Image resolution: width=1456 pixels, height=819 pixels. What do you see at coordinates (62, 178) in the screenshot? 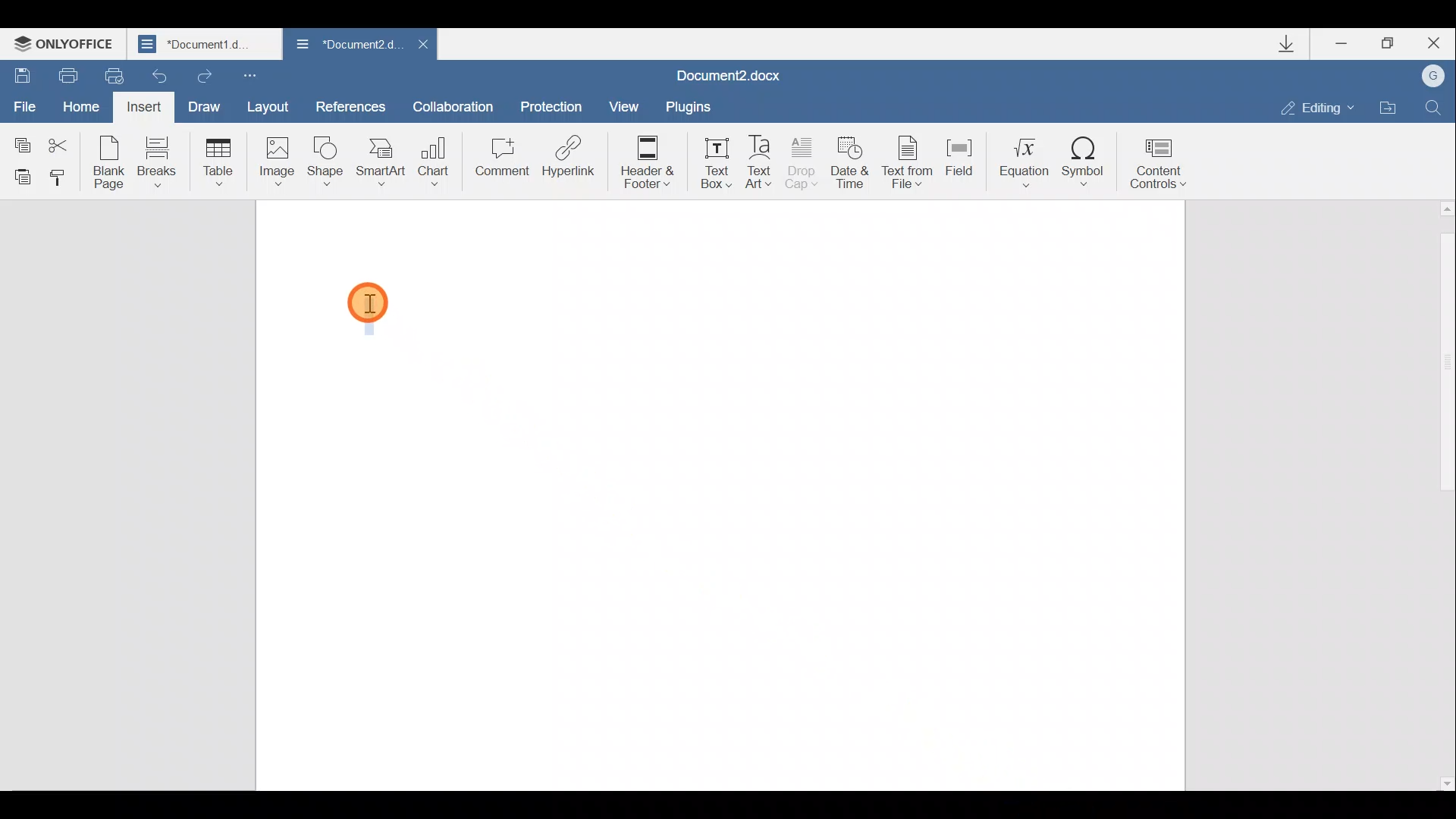
I see `Copy style` at bounding box center [62, 178].